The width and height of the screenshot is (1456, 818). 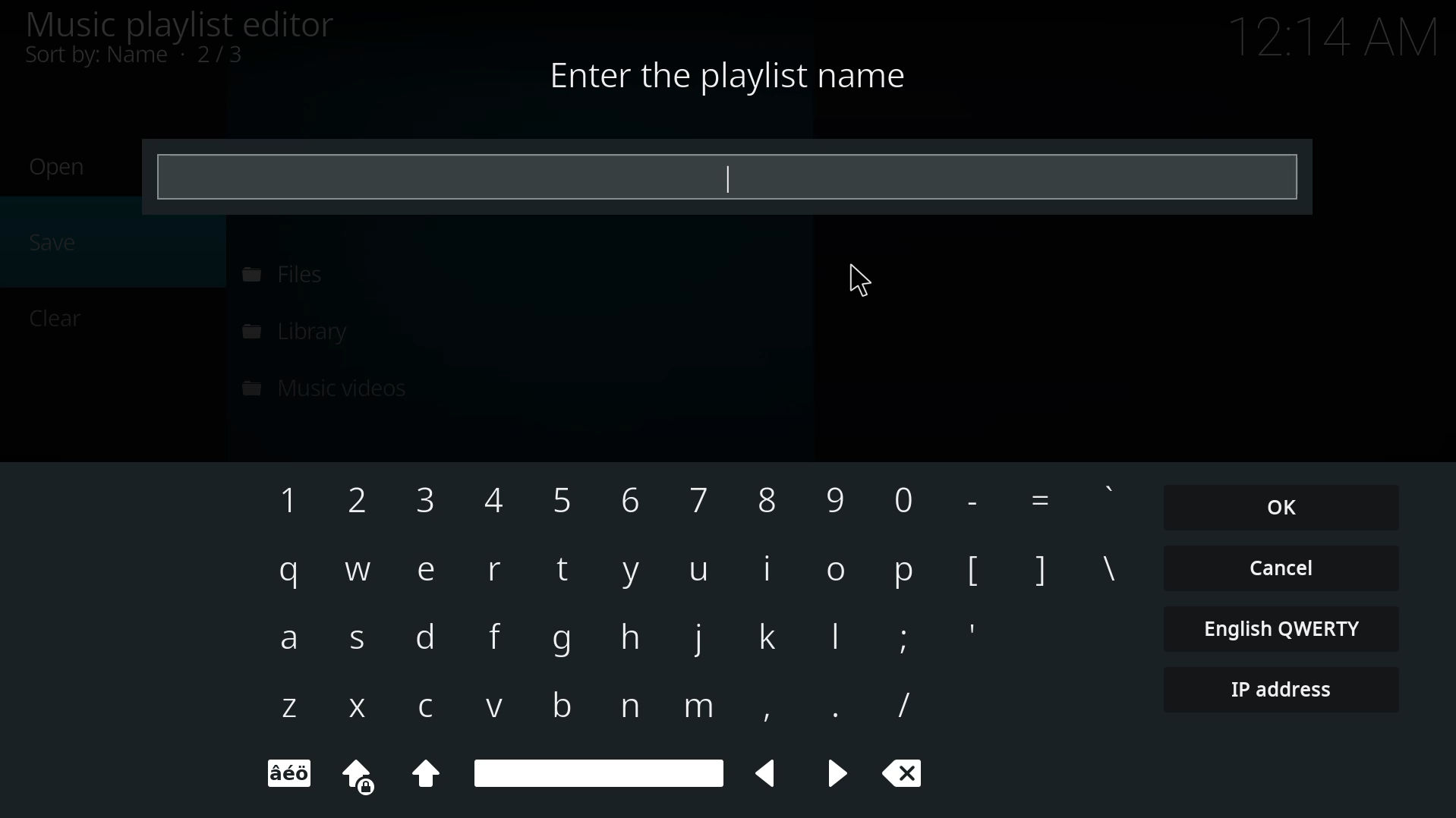 I want to click on open, so click(x=60, y=167).